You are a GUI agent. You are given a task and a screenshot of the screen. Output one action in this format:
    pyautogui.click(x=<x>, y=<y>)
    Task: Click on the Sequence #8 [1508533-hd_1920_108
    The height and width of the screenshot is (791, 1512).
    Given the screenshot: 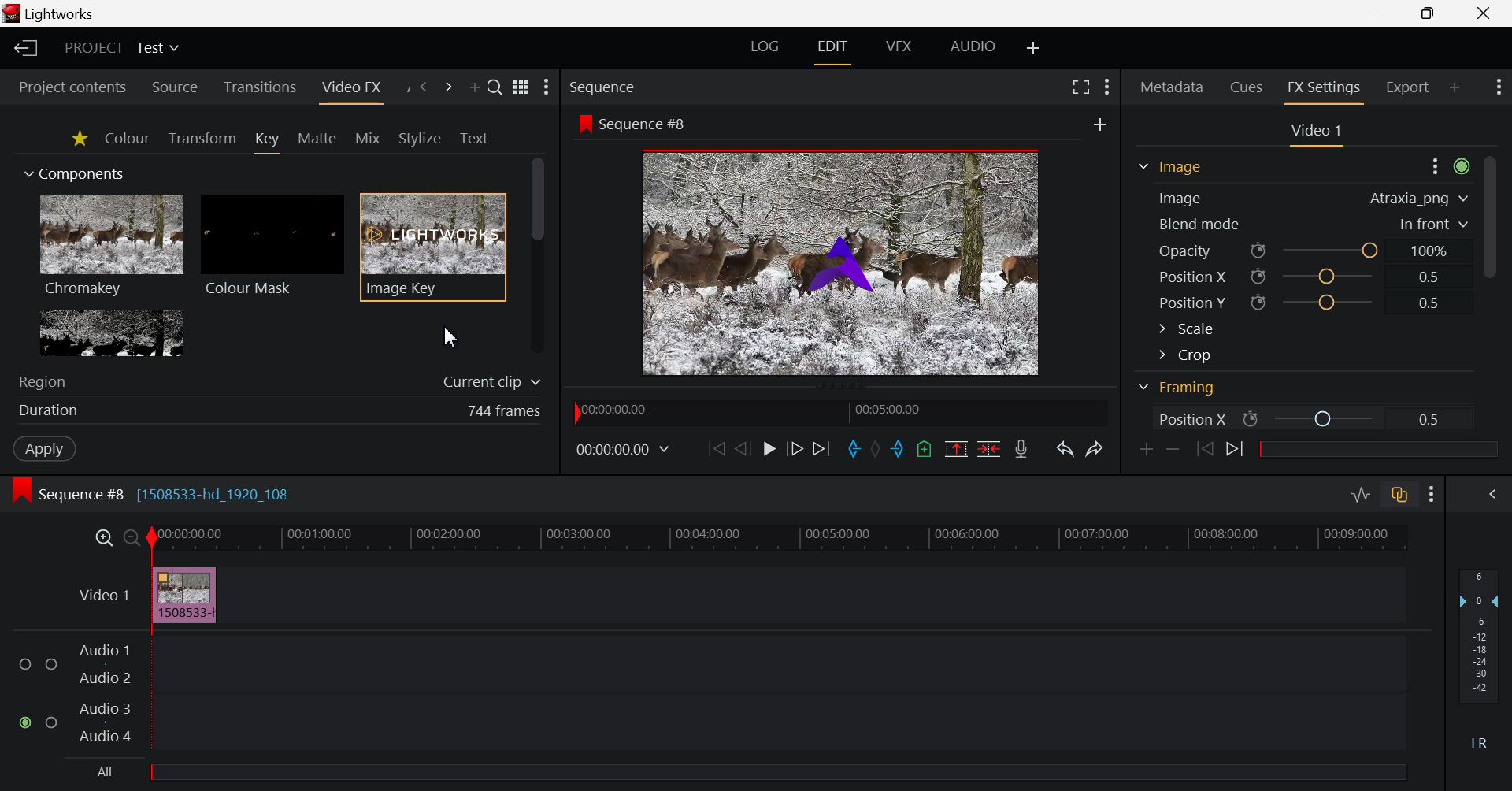 What is the action you would take?
    pyautogui.click(x=154, y=492)
    